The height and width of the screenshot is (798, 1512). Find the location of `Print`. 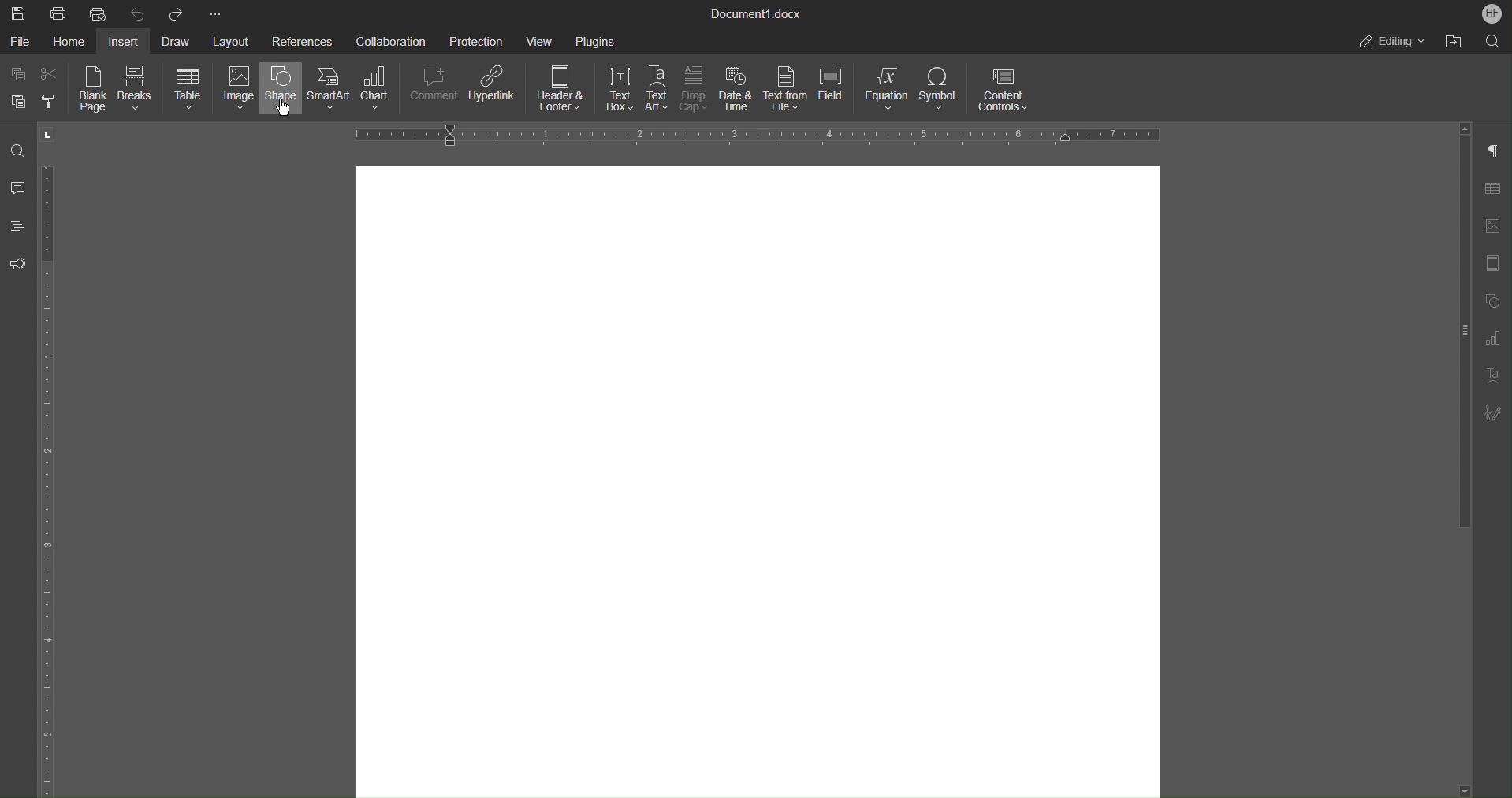

Print is located at coordinates (59, 13).